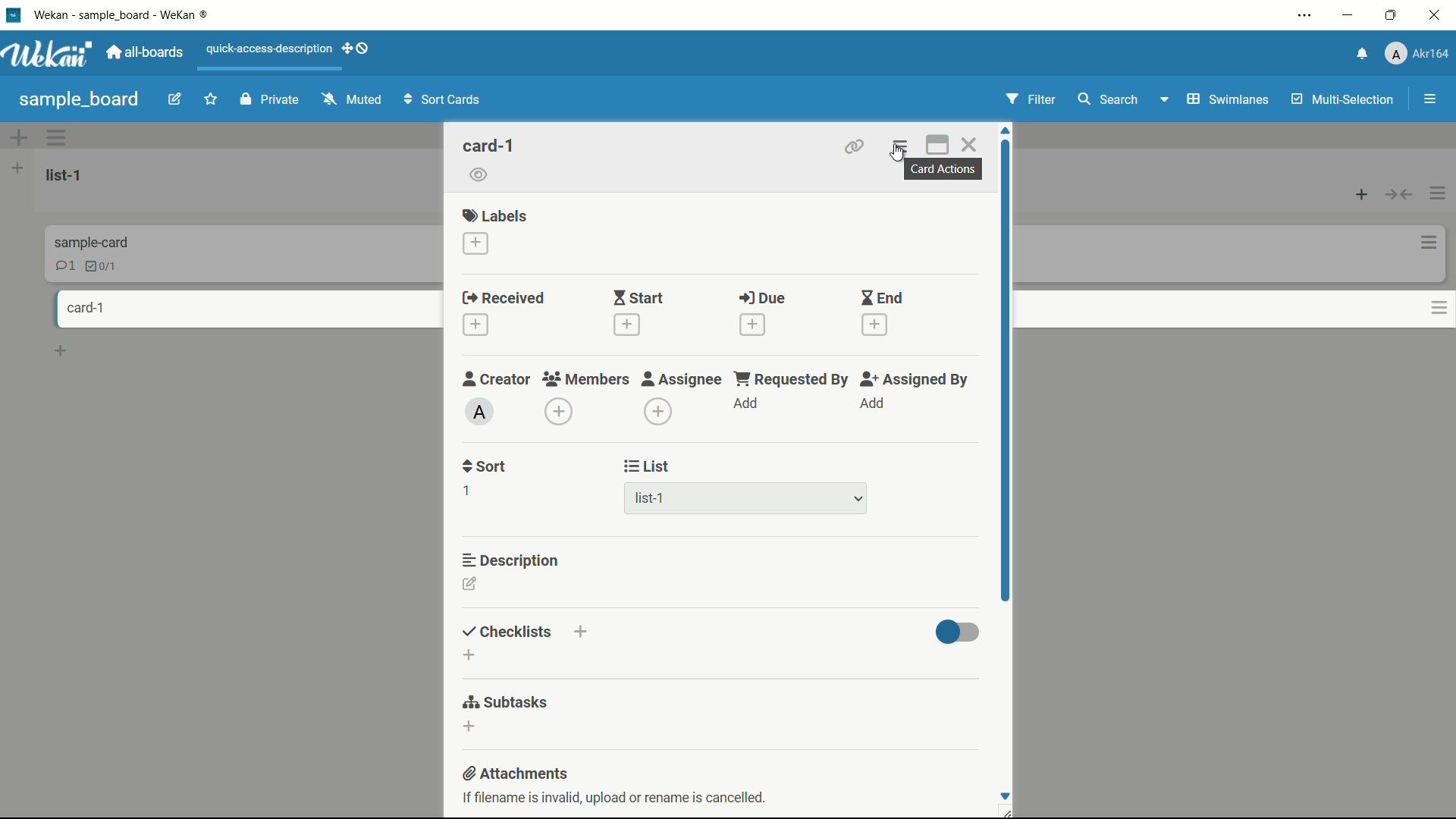 This screenshot has height=819, width=1456. I want to click on add date, so click(876, 325).